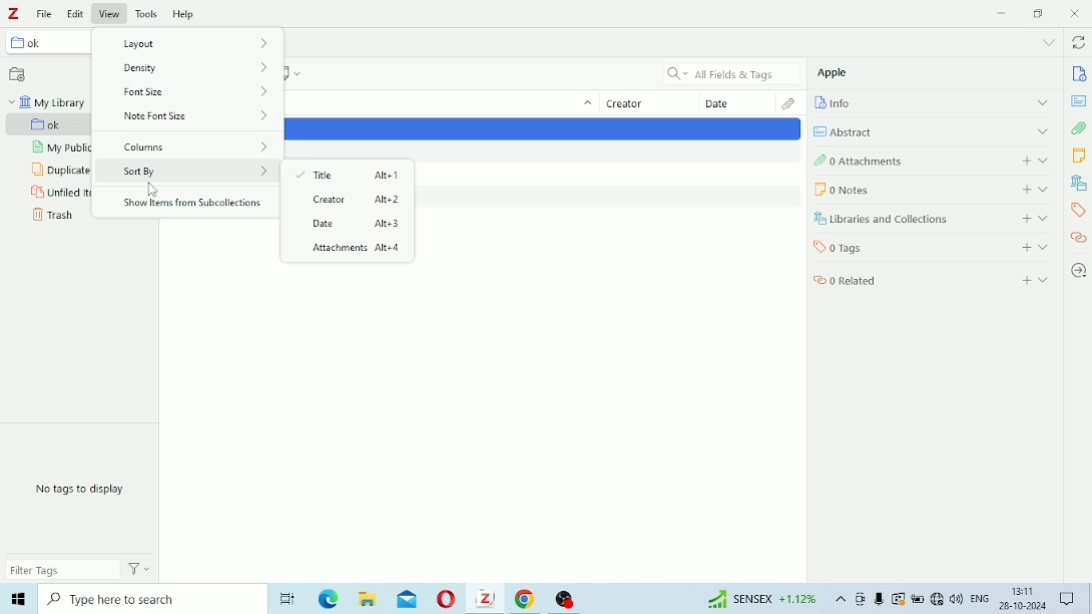 The height and width of the screenshot is (614, 1092). What do you see at coordinates (18, 73) in the screenshot?
I see `New collection` at bounding box center [18, 73].